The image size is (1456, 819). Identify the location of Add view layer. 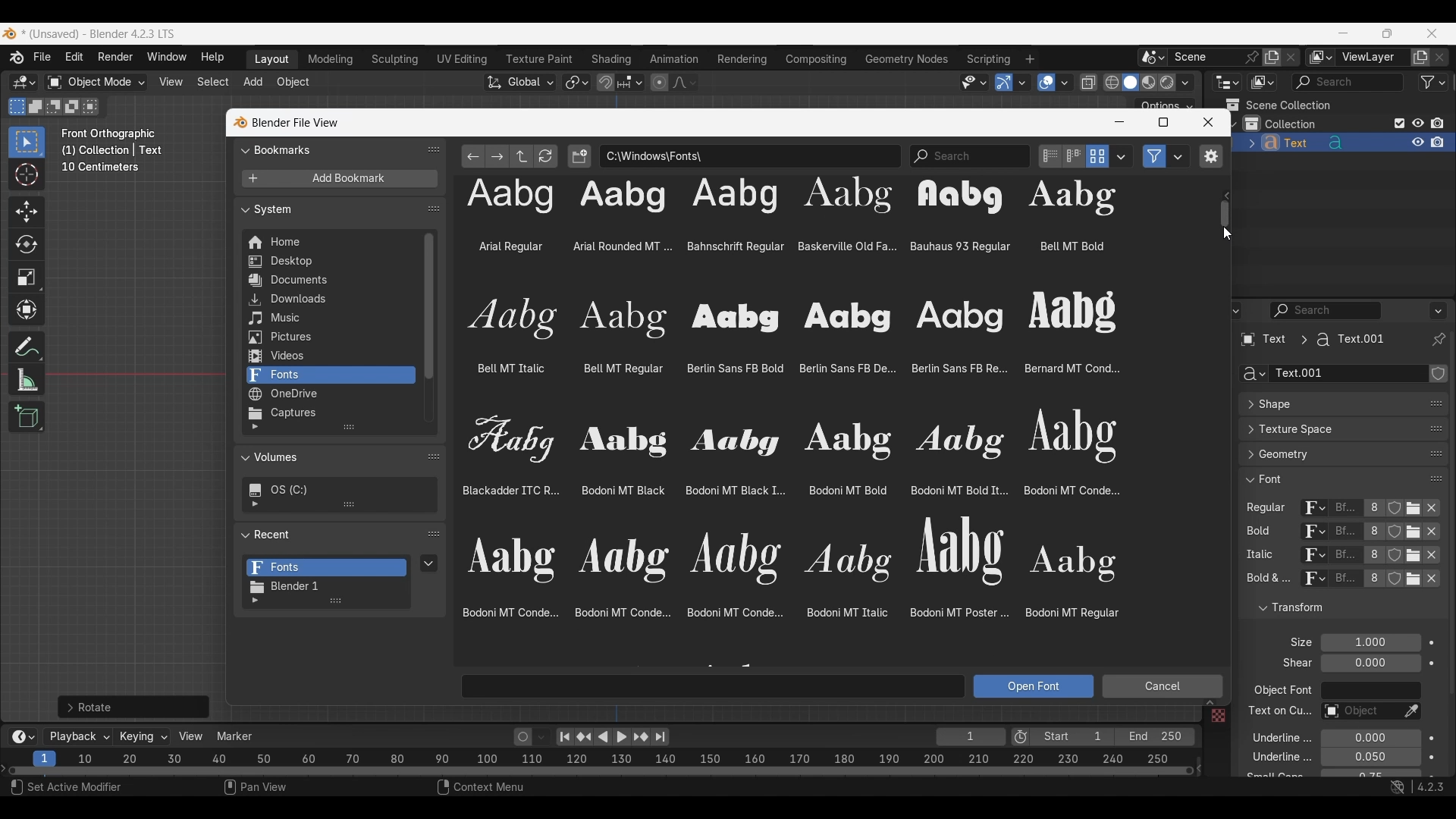
(1420, 58).